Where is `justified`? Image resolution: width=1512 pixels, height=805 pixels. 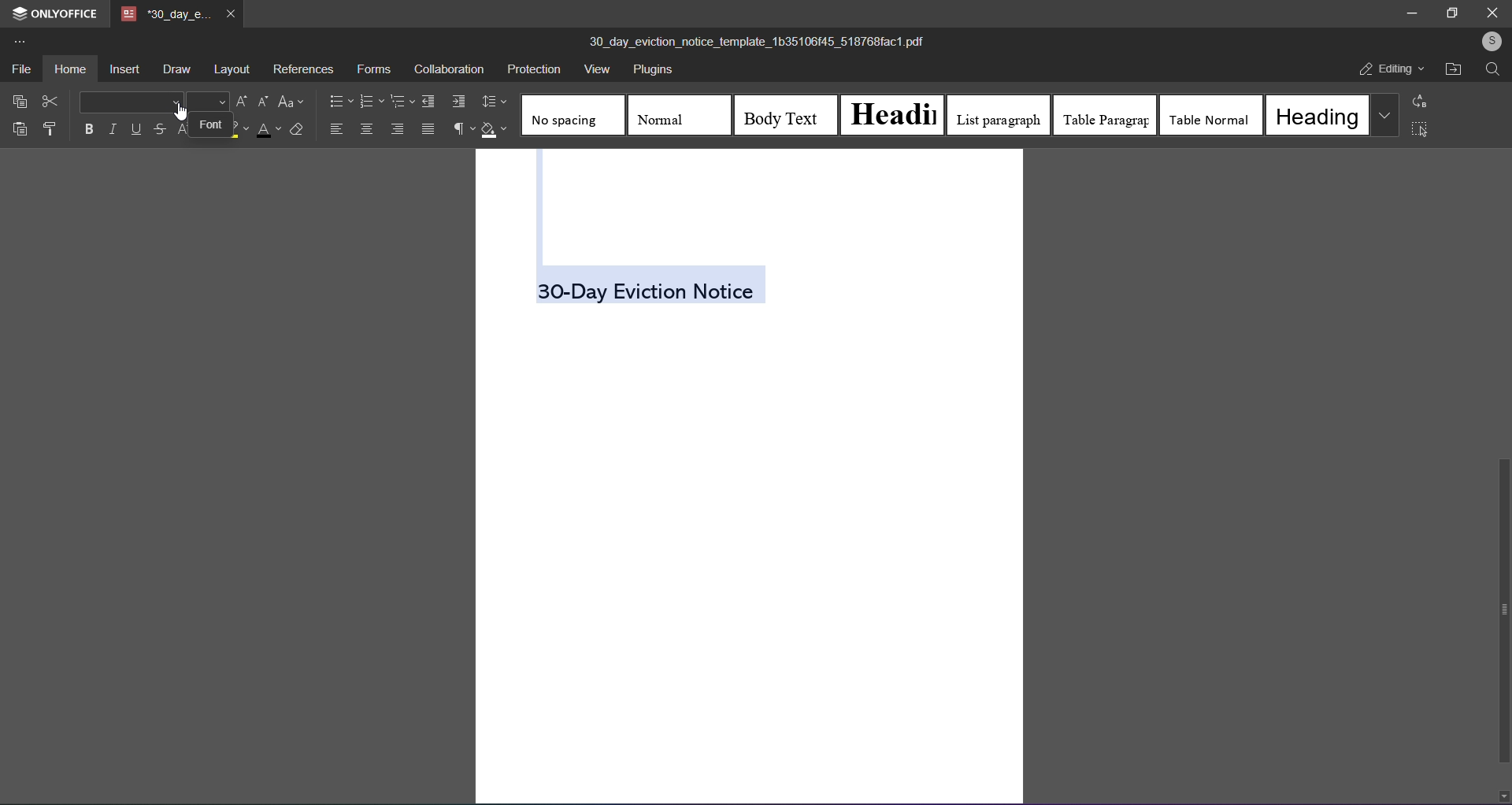 justified is located at coordinates (428, 128).